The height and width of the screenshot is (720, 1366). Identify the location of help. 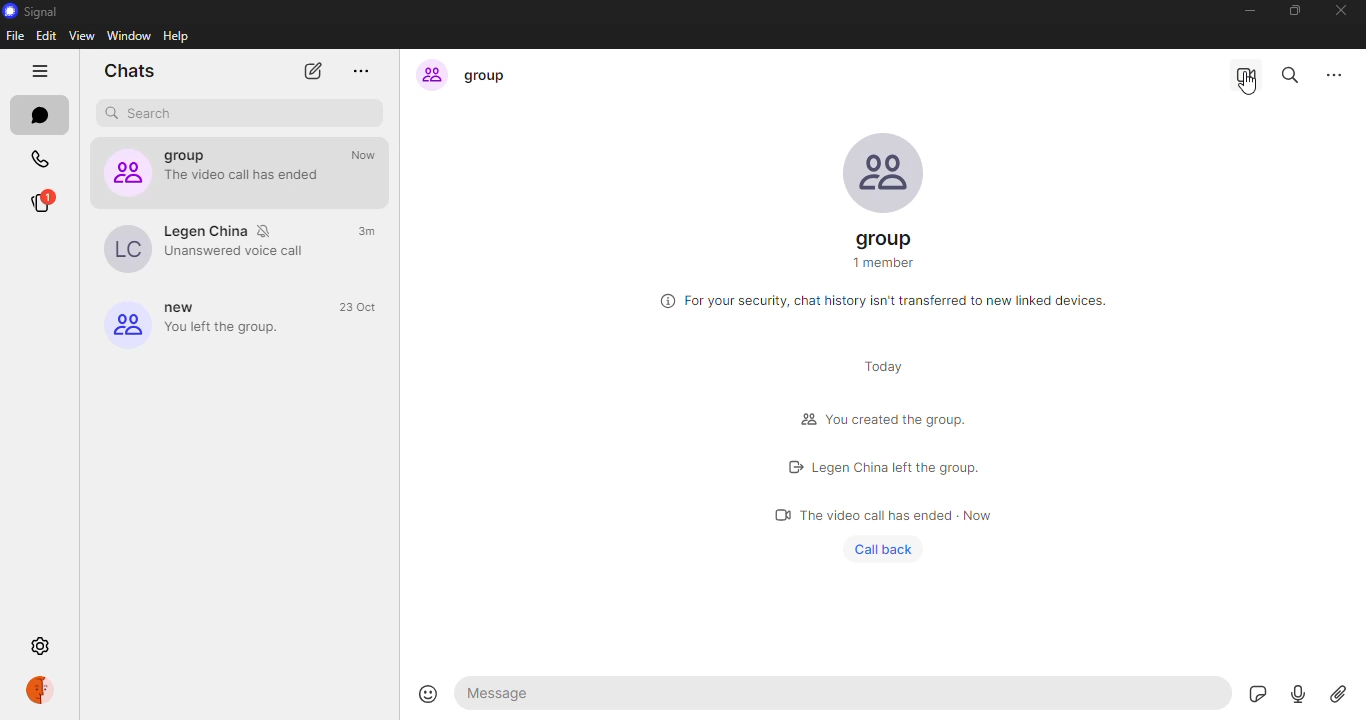
(179, 36).